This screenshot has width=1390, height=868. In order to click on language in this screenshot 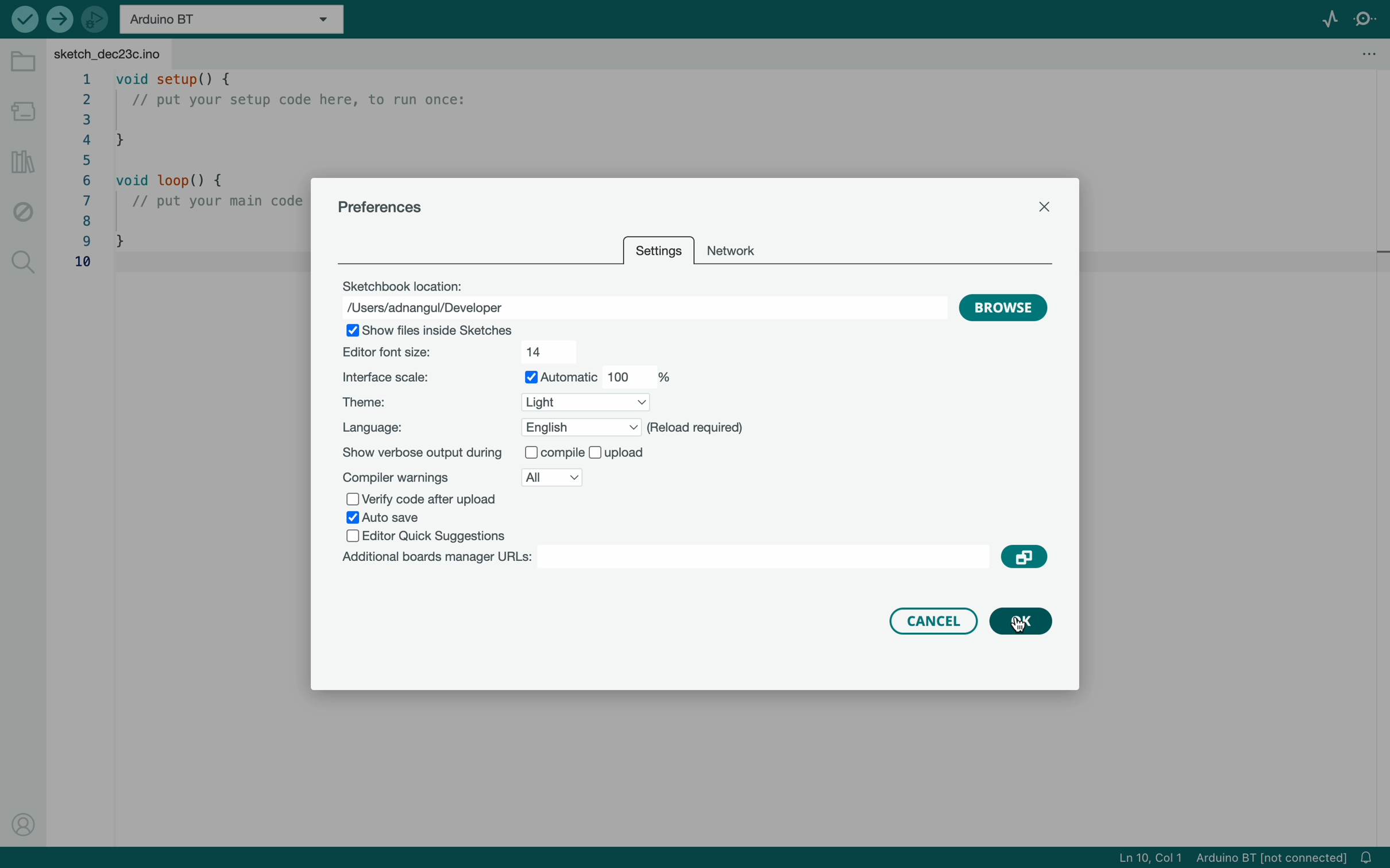, I will do `click(606, 428)`.